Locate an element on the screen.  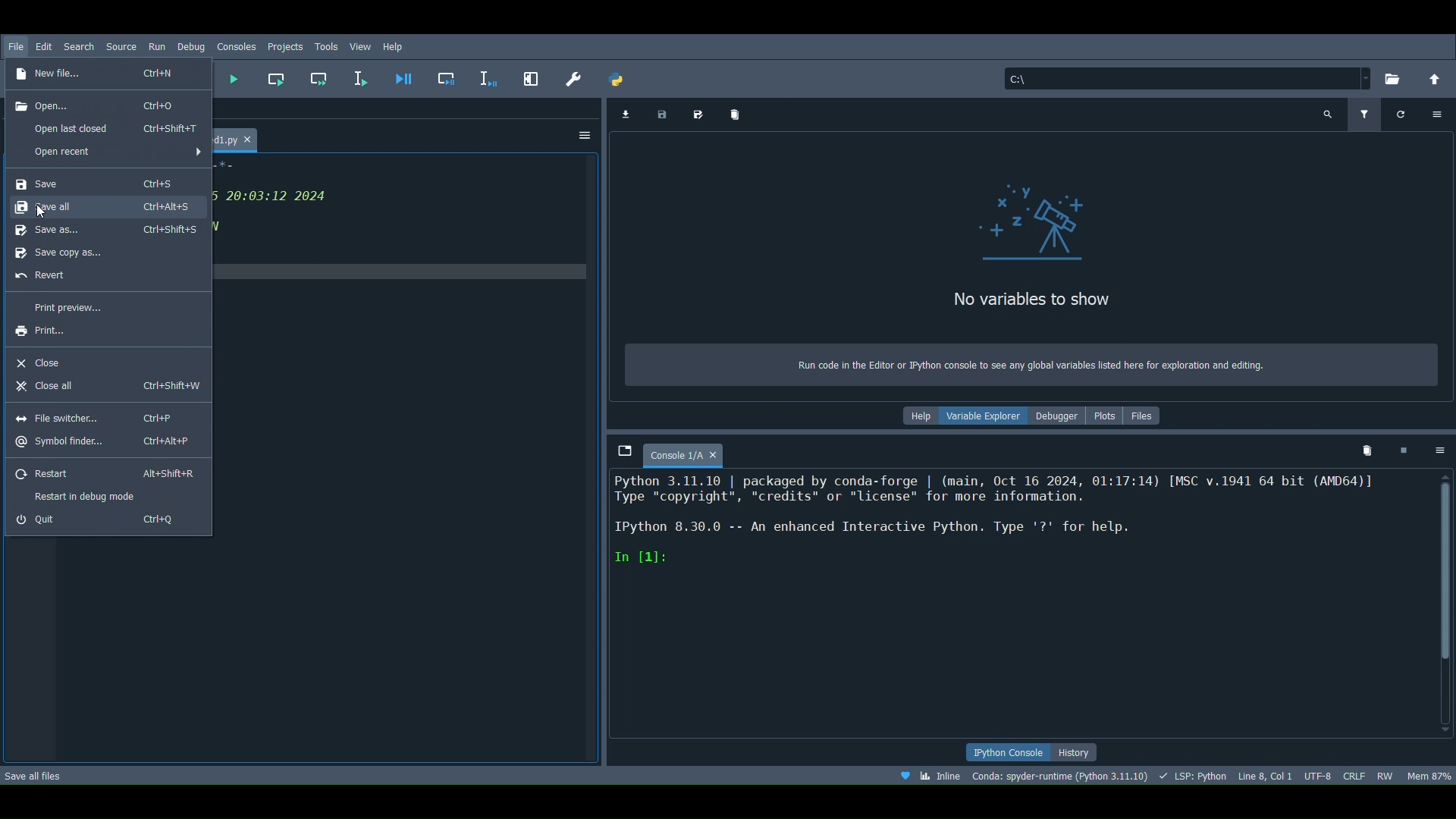
Save is located at coordinates (96, 183).